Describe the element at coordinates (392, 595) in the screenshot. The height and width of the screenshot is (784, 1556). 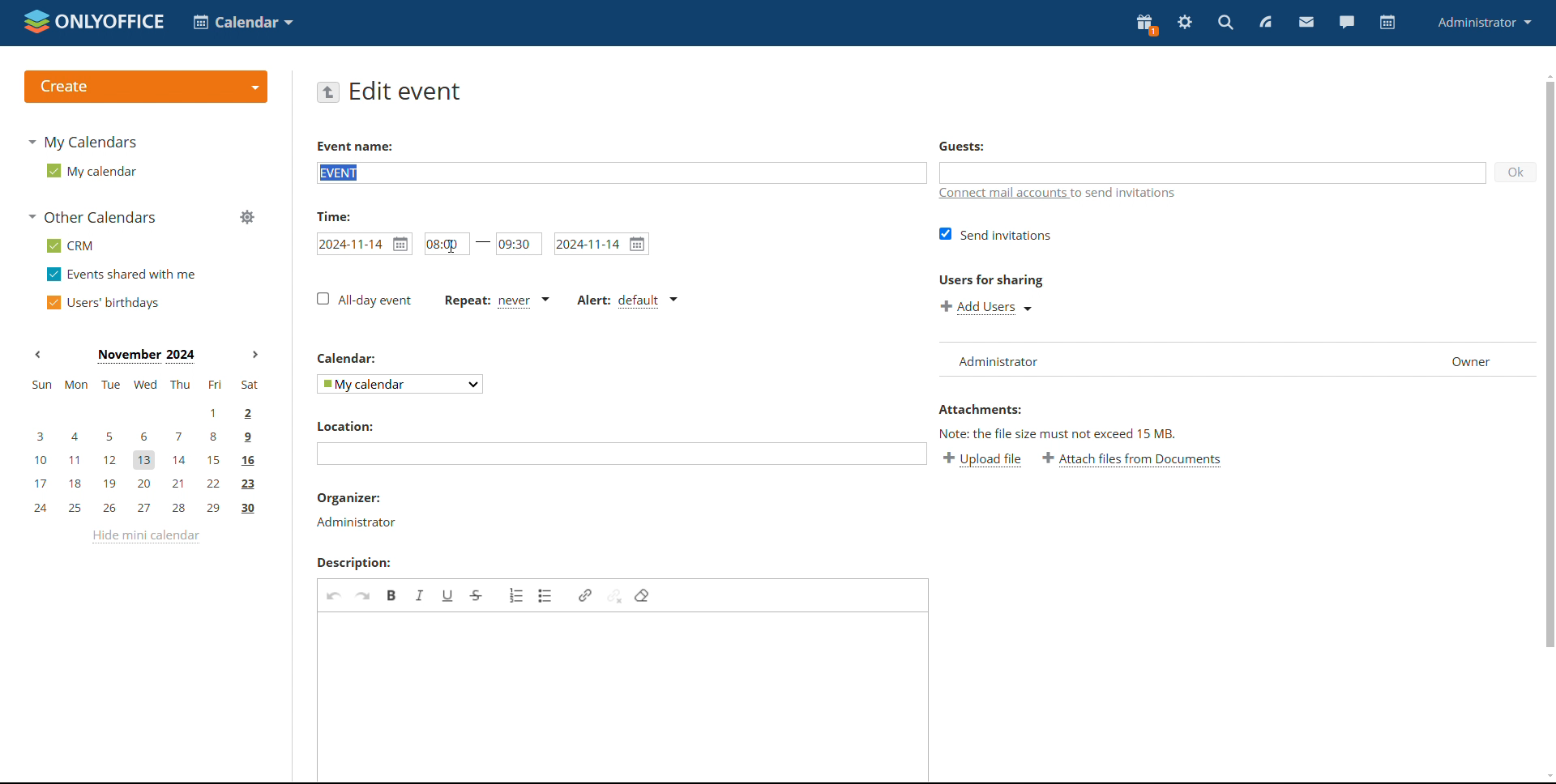
I see `bold` at that location.